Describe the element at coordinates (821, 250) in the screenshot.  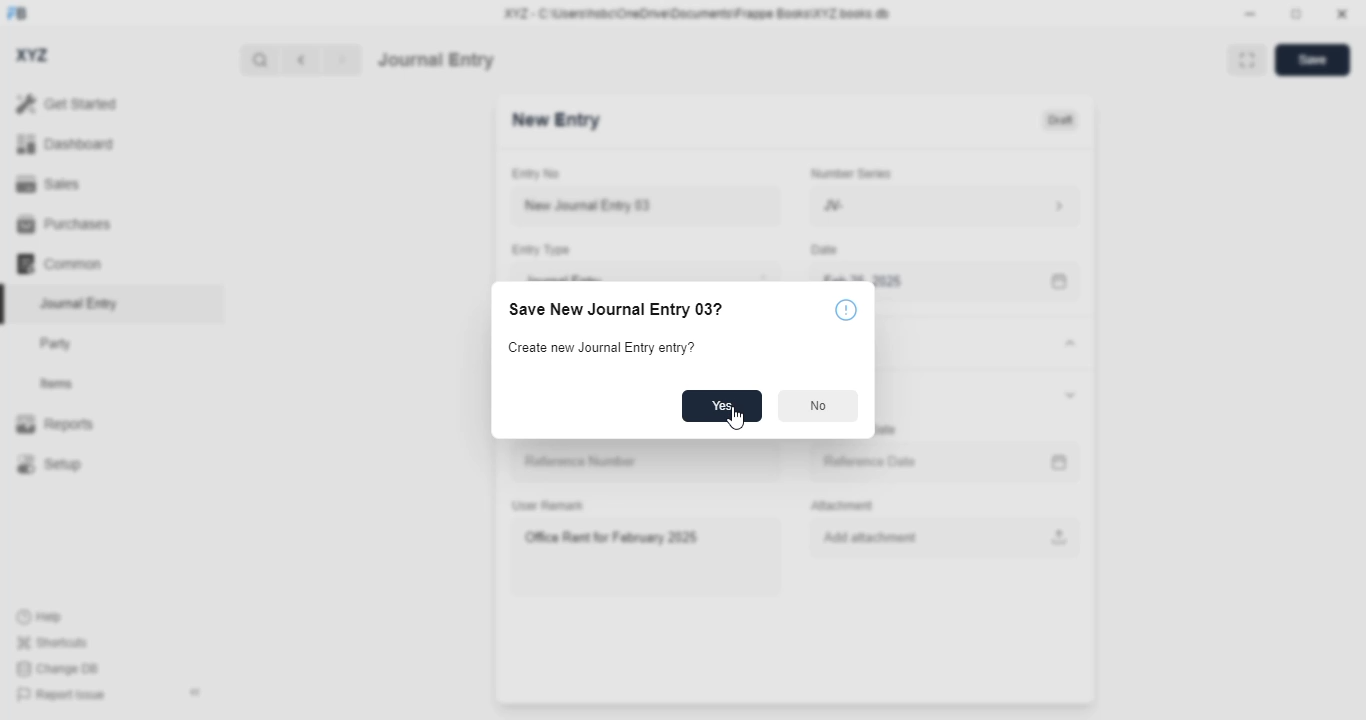
I see `date` at that location.